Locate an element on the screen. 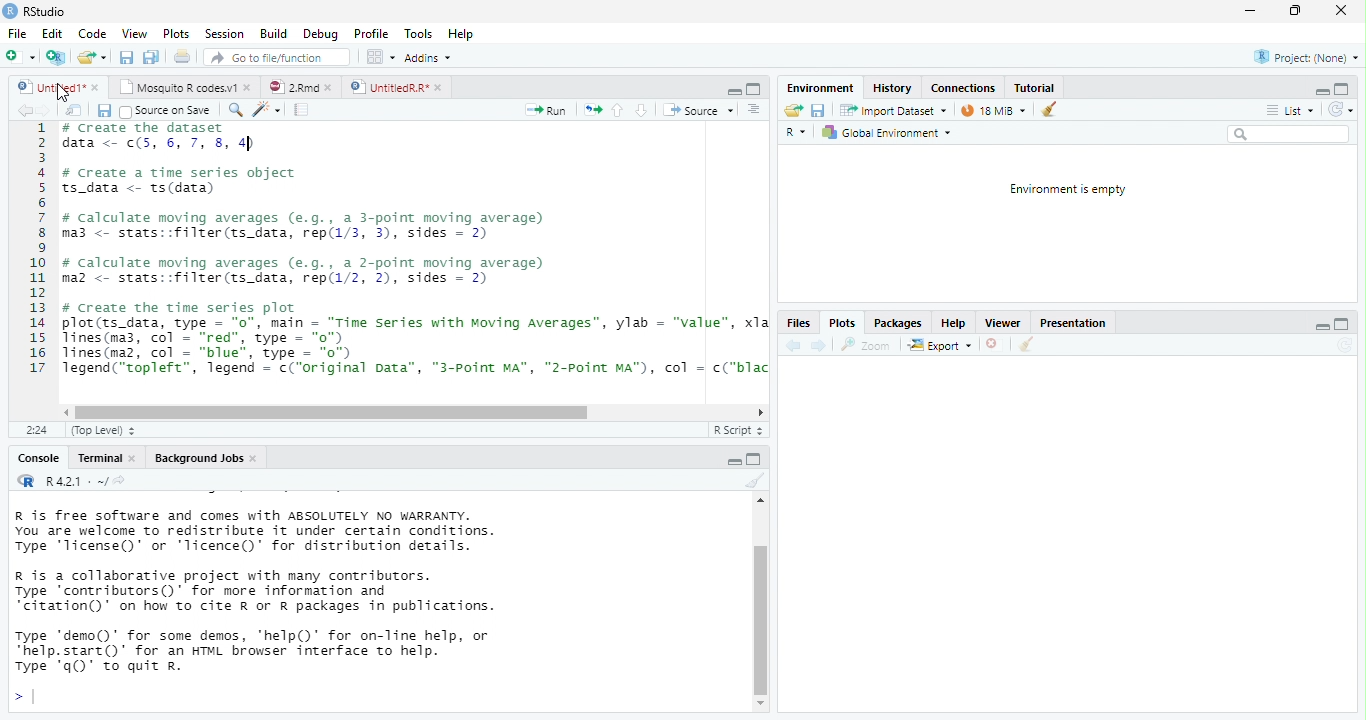 The height and width of the screenshot is (720, 1366). ‘Environment is located at coordinates (819, 88).